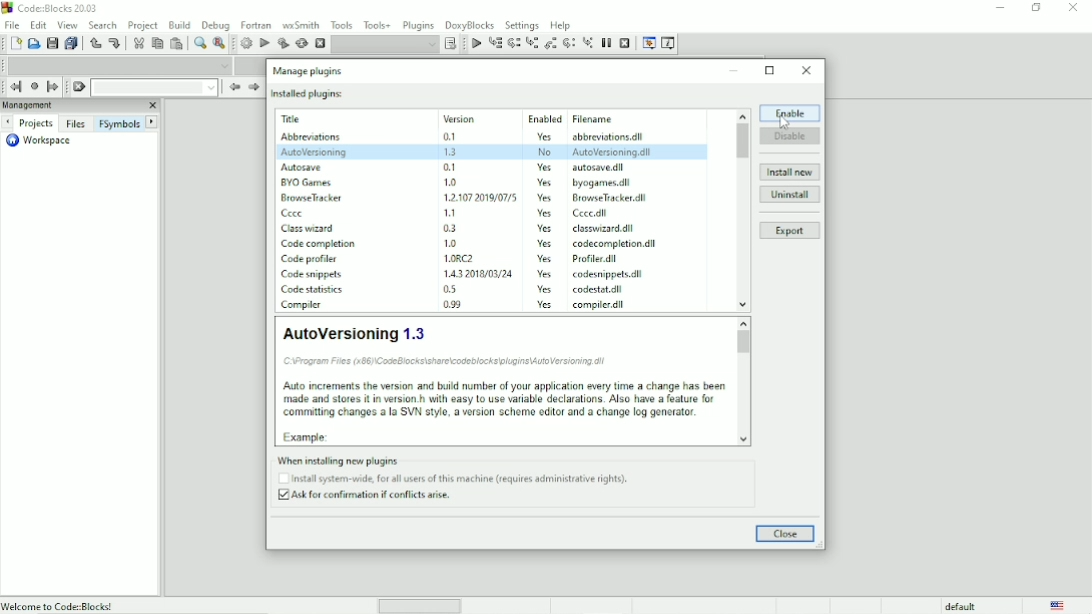 Image resolution: width=1092 pixels, height=614 pixels. Describe the element at coordinates (791, 135) in the screenshot. I see `Disable` at that location.